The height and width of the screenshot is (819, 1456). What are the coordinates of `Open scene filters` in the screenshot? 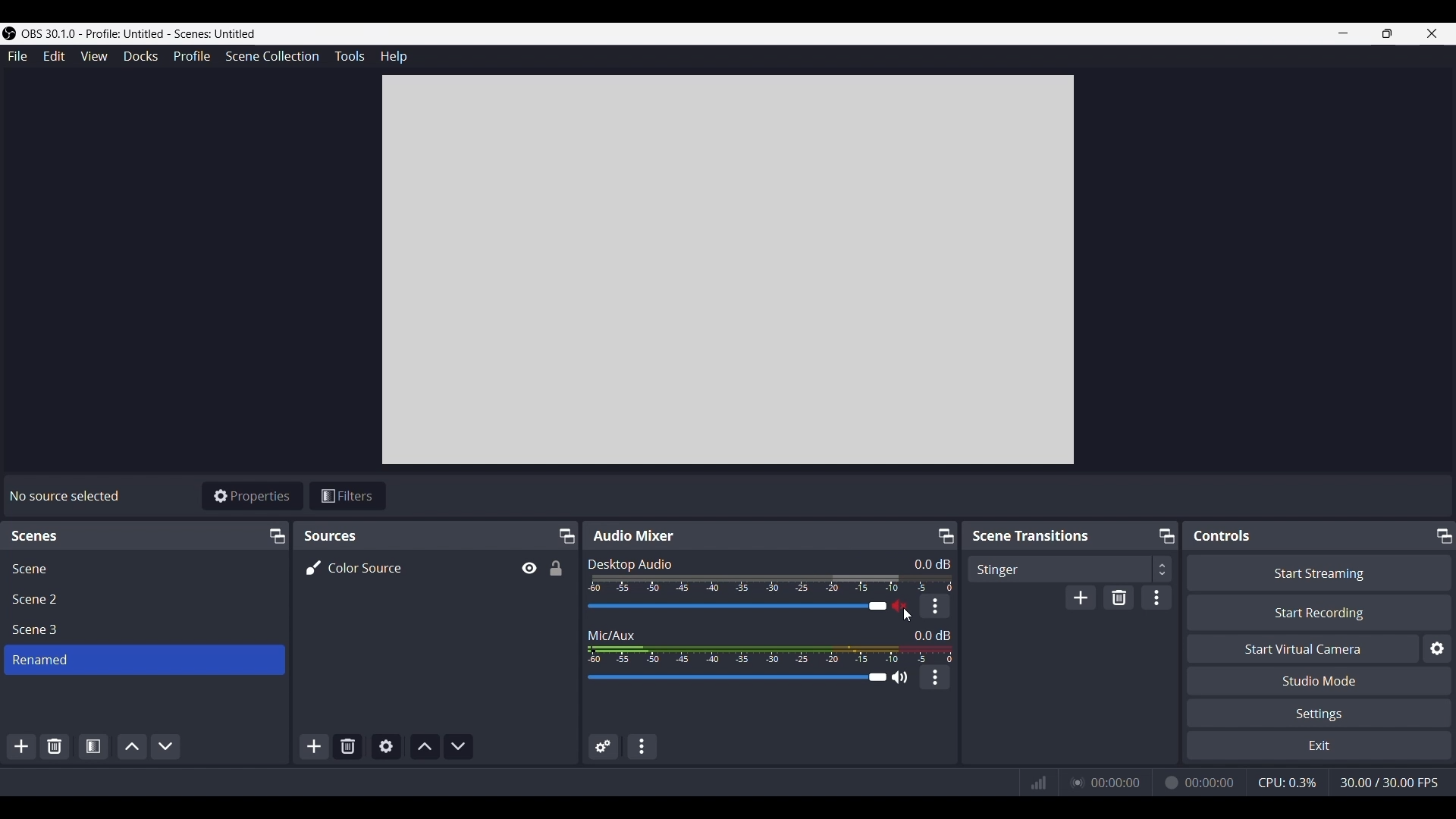 It's located at (93, 746).